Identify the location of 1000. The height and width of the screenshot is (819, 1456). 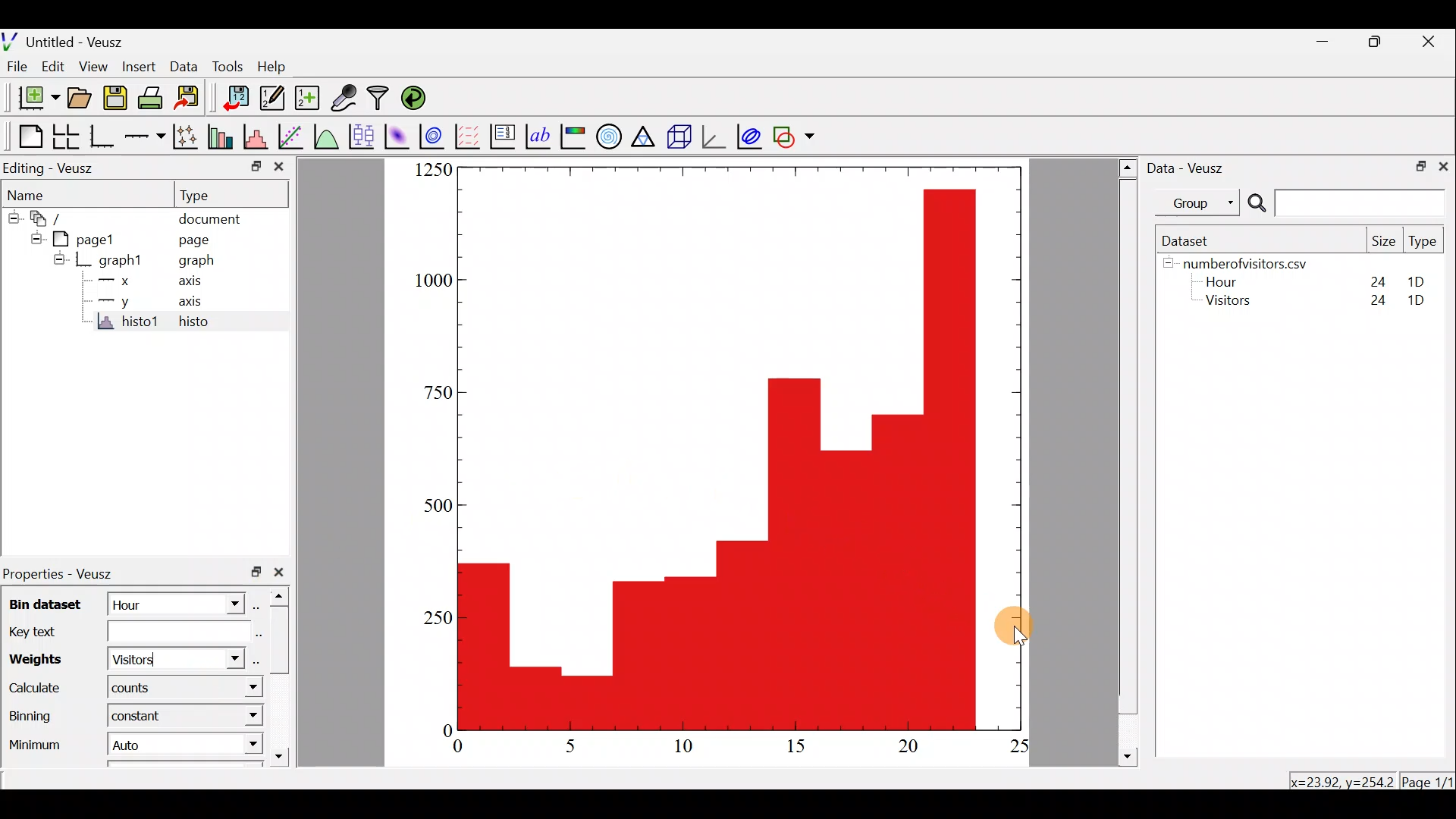
(431, 287).